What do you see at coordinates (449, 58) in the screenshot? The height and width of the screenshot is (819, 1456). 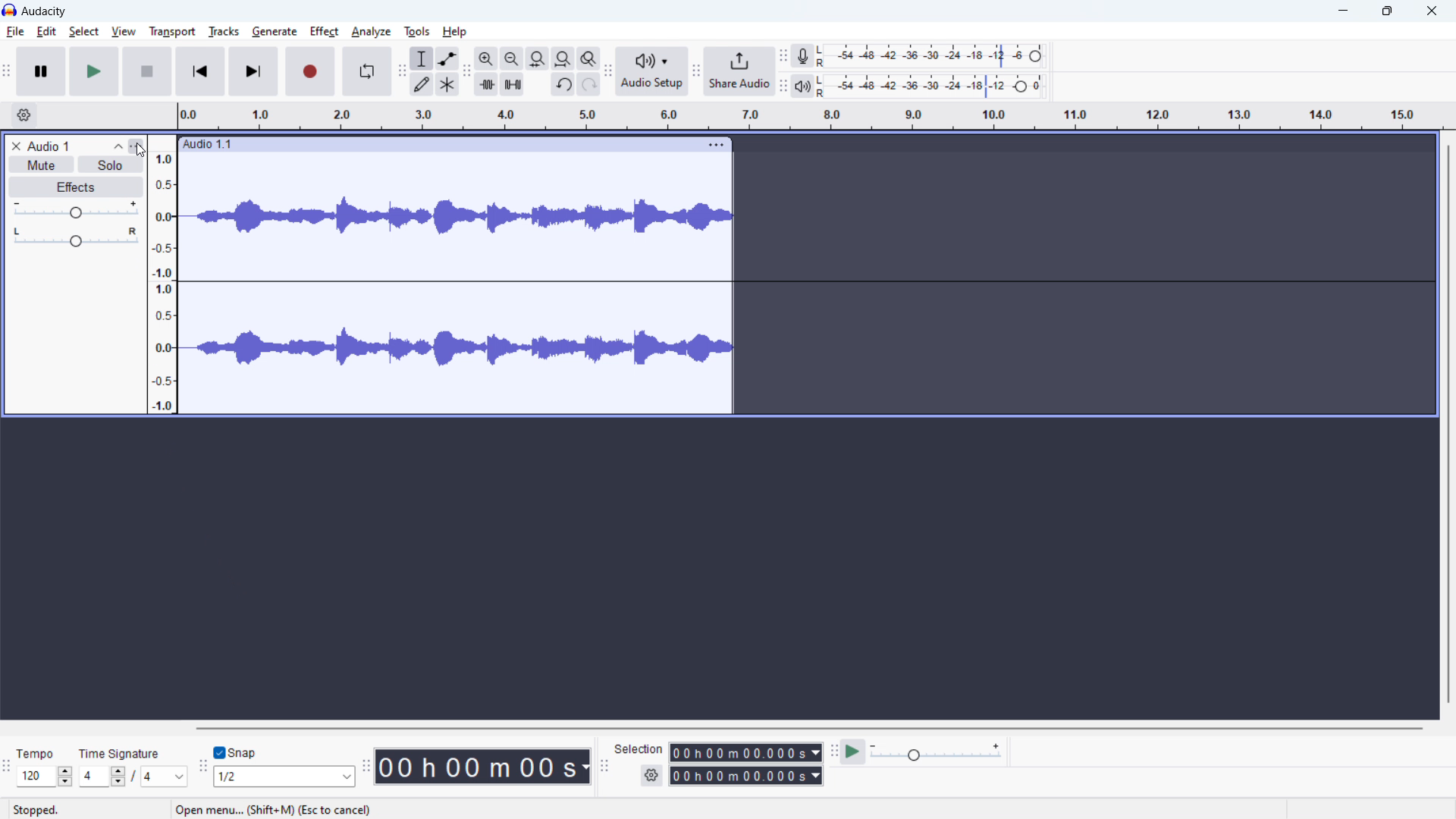 I see `envelop tool` at bounding box center [449, 58].